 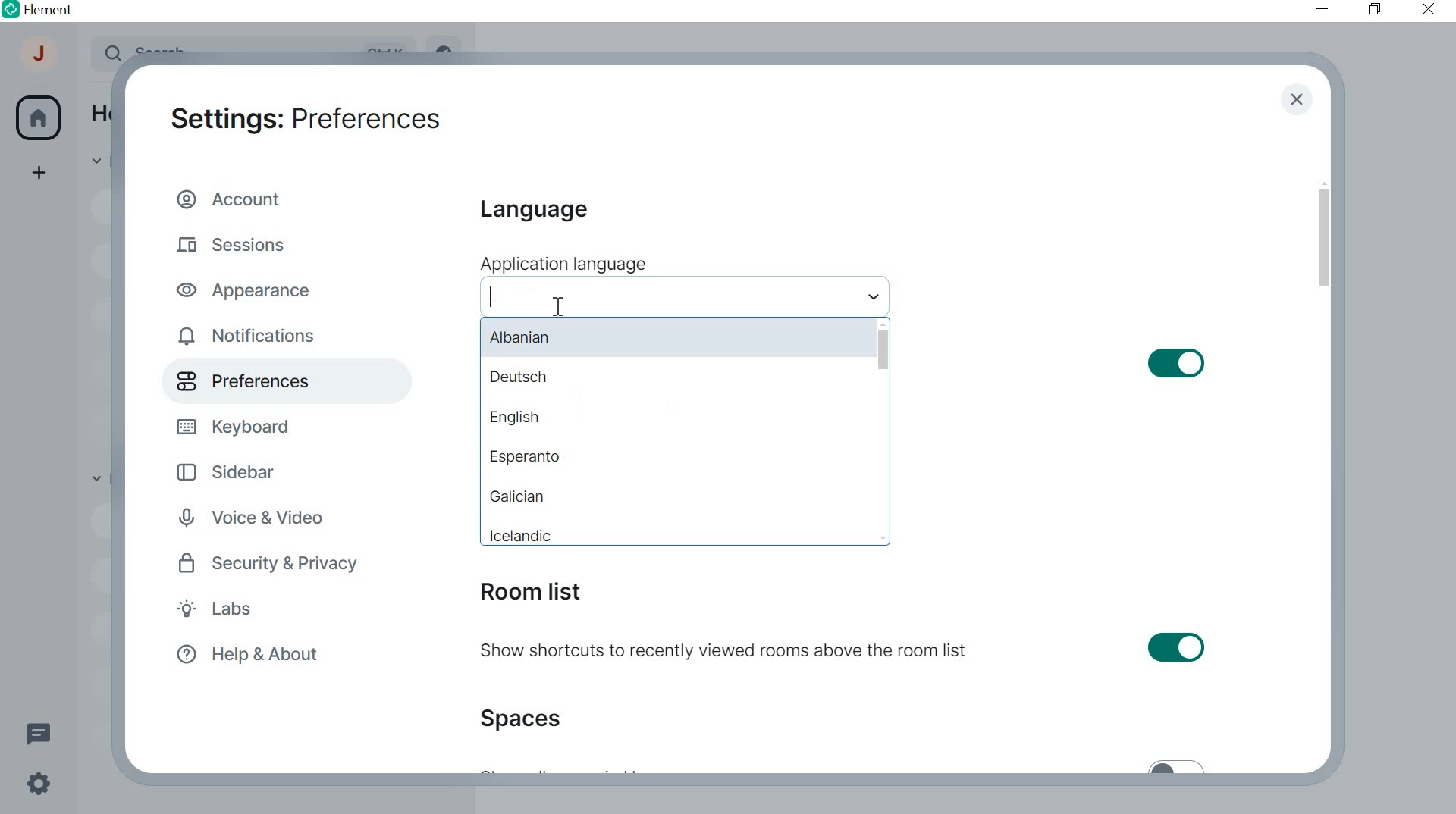 I want to click on Language, so click(x=532, y=211).